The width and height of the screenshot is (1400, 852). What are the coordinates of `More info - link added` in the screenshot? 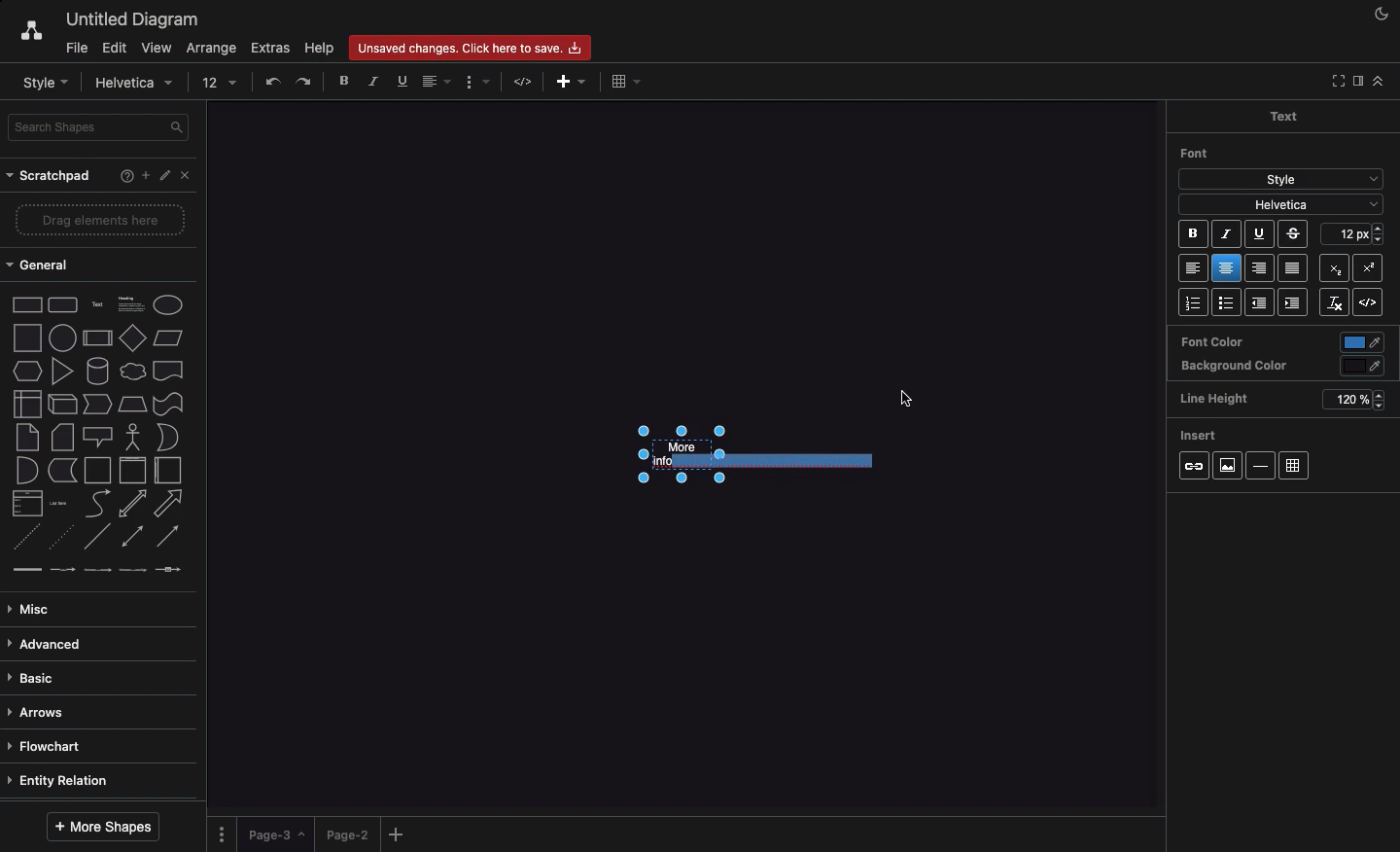 It's located at (748, 455).